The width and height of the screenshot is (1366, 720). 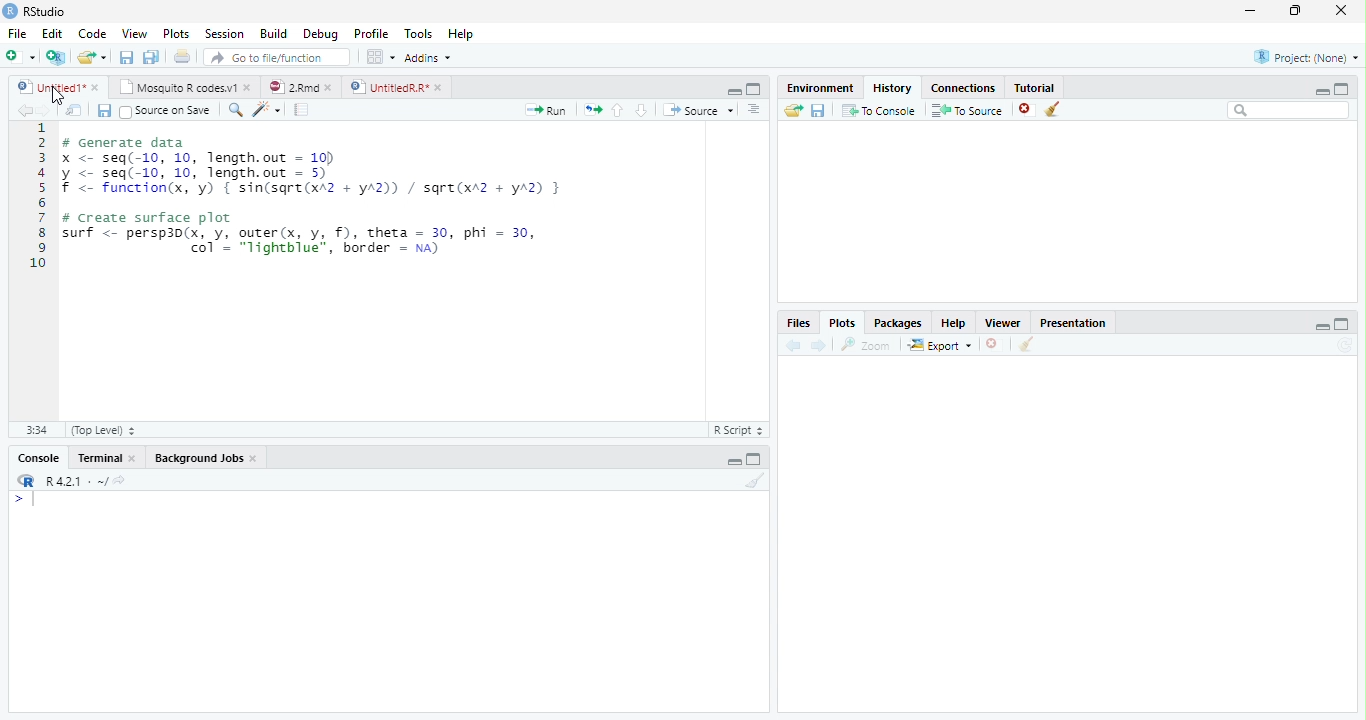 I want to click on Clear console, so click(x=756, y=480).